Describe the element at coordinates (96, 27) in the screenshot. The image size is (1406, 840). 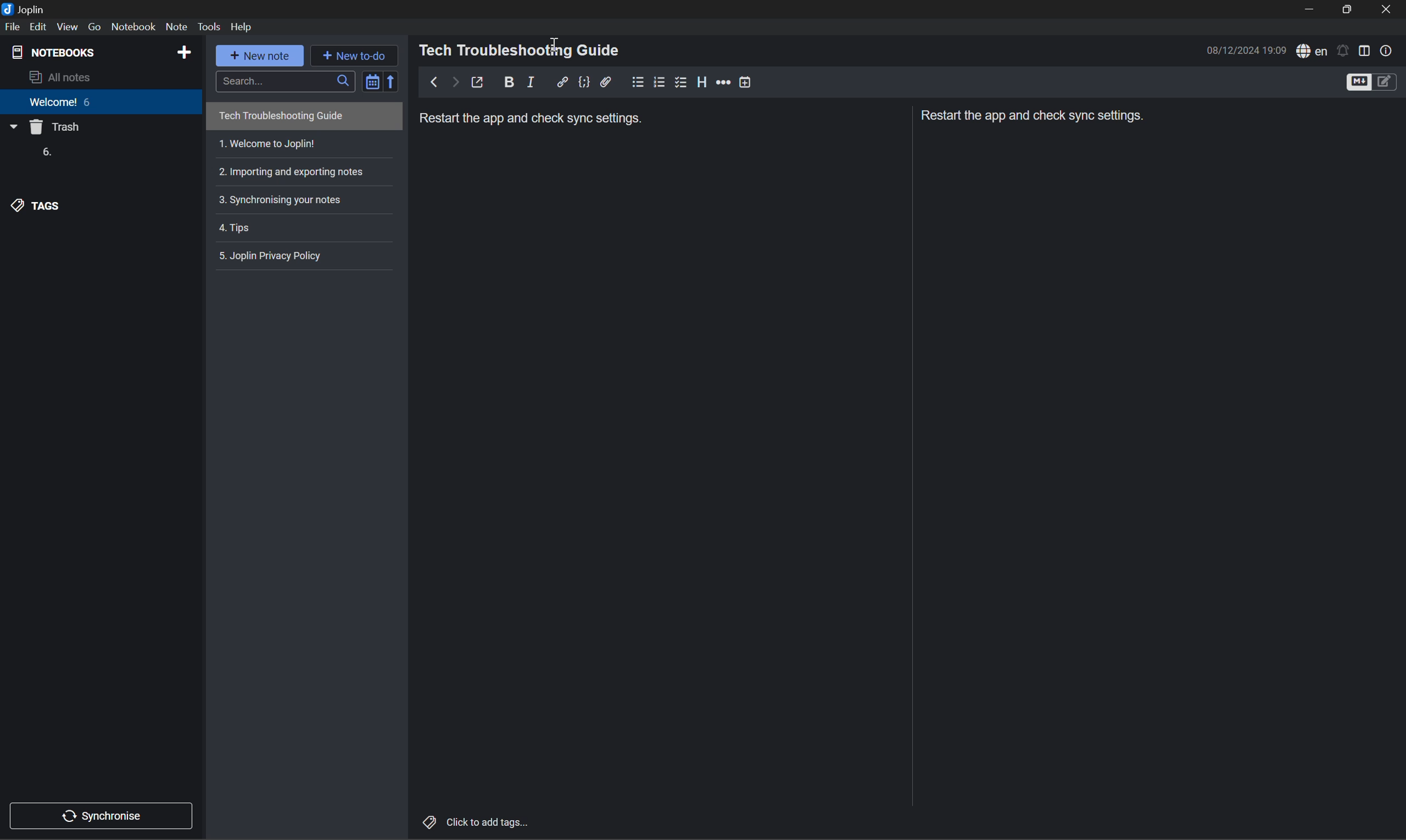
I see `Go` at that location.